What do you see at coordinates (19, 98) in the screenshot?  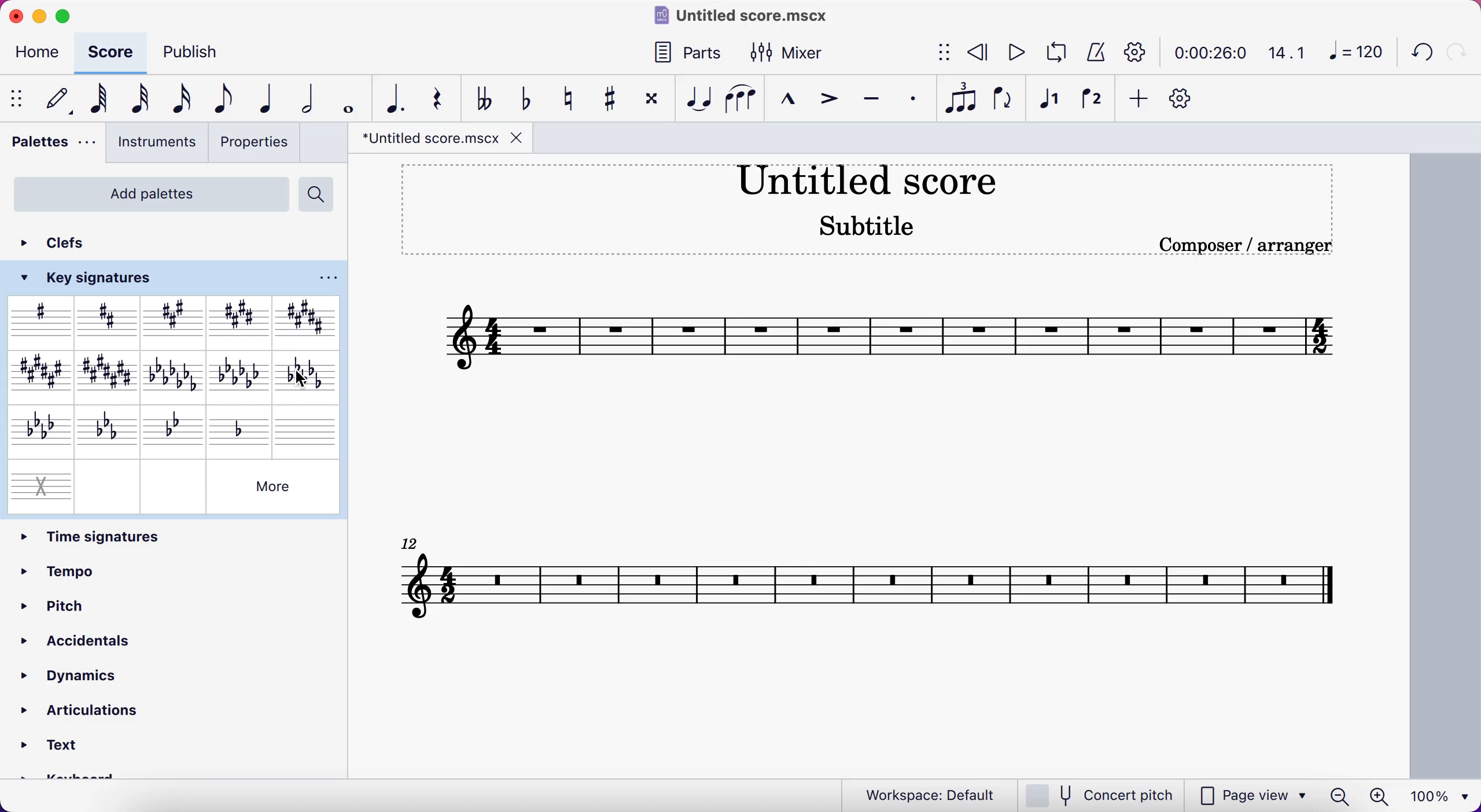 I see `show/hide` at bounding box center [19, 98].